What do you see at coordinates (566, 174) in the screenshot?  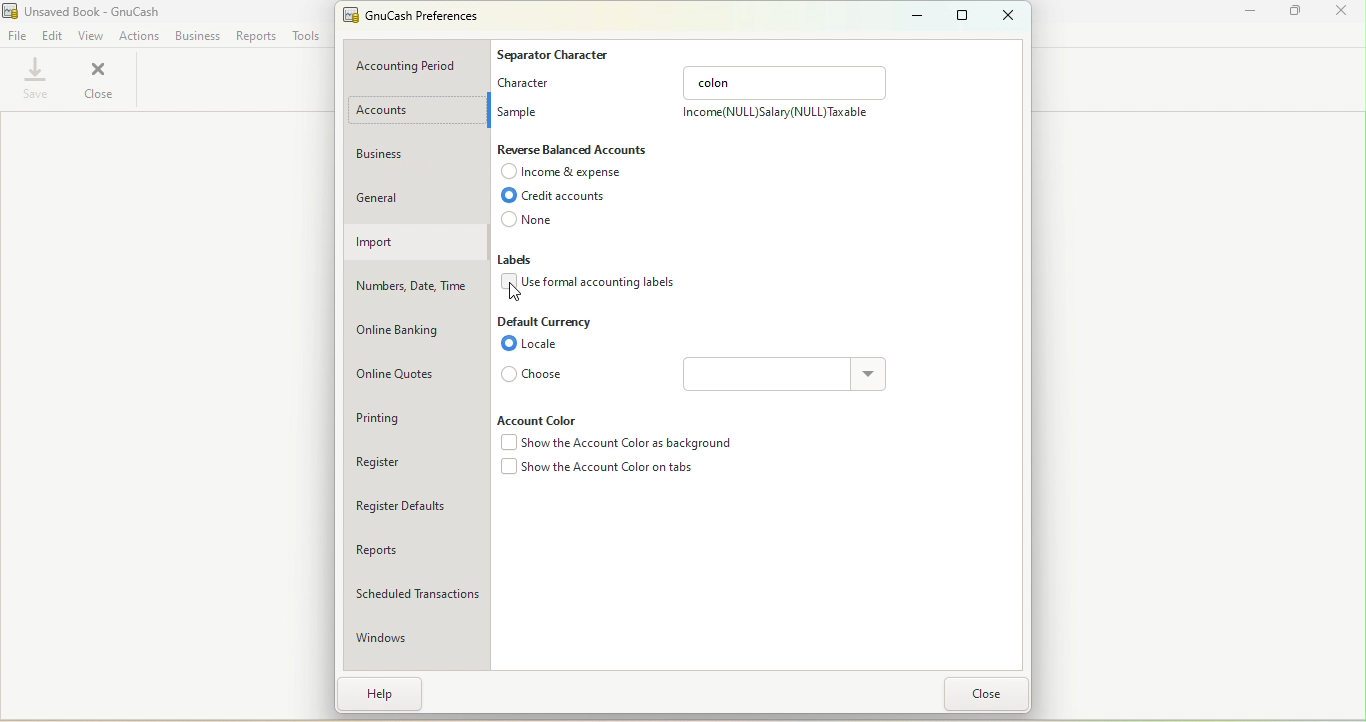 I see `Income and expense` at bounding box center [566, 174].